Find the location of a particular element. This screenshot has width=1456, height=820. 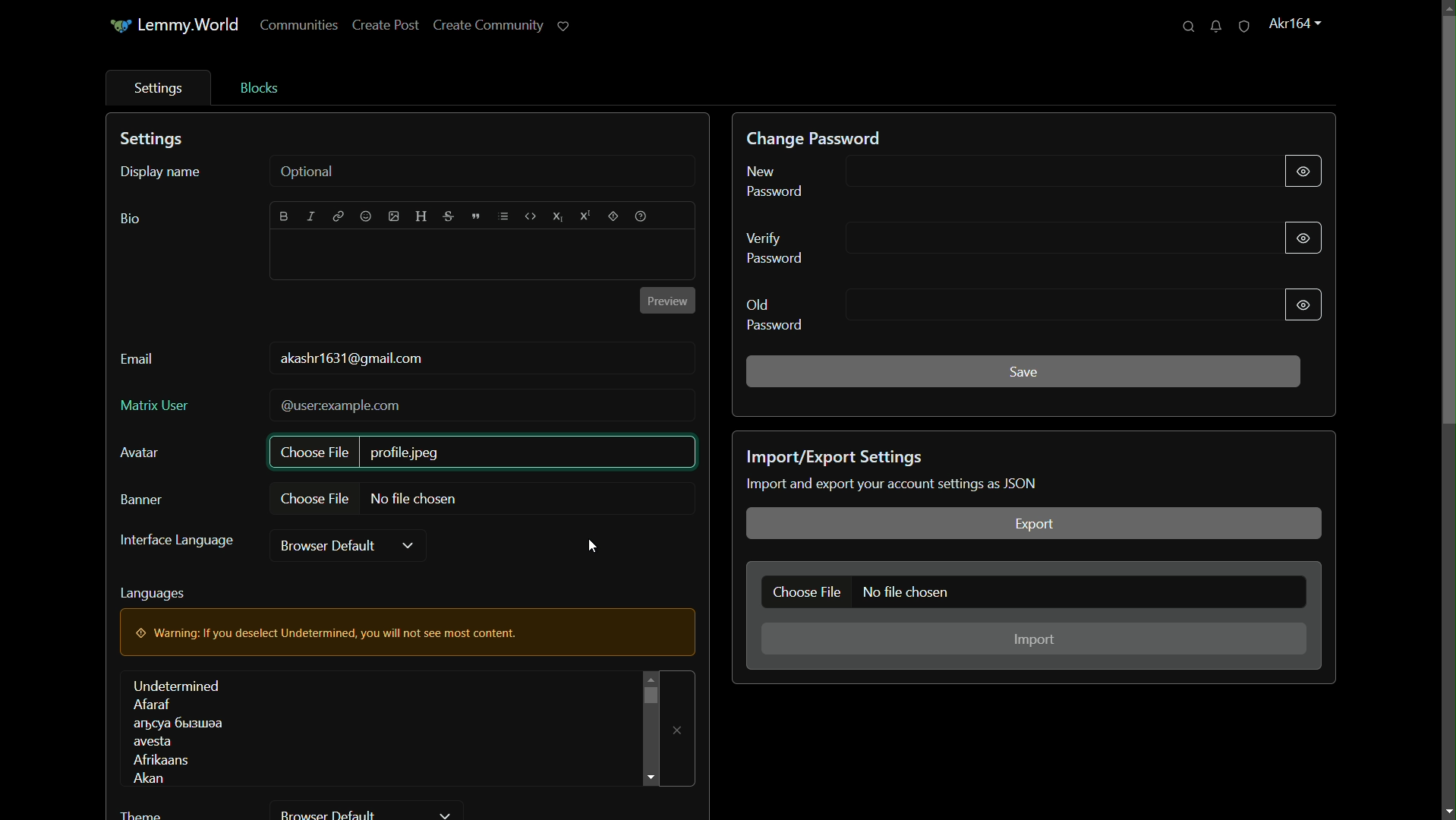

languages is located at coordinates (180, 731).